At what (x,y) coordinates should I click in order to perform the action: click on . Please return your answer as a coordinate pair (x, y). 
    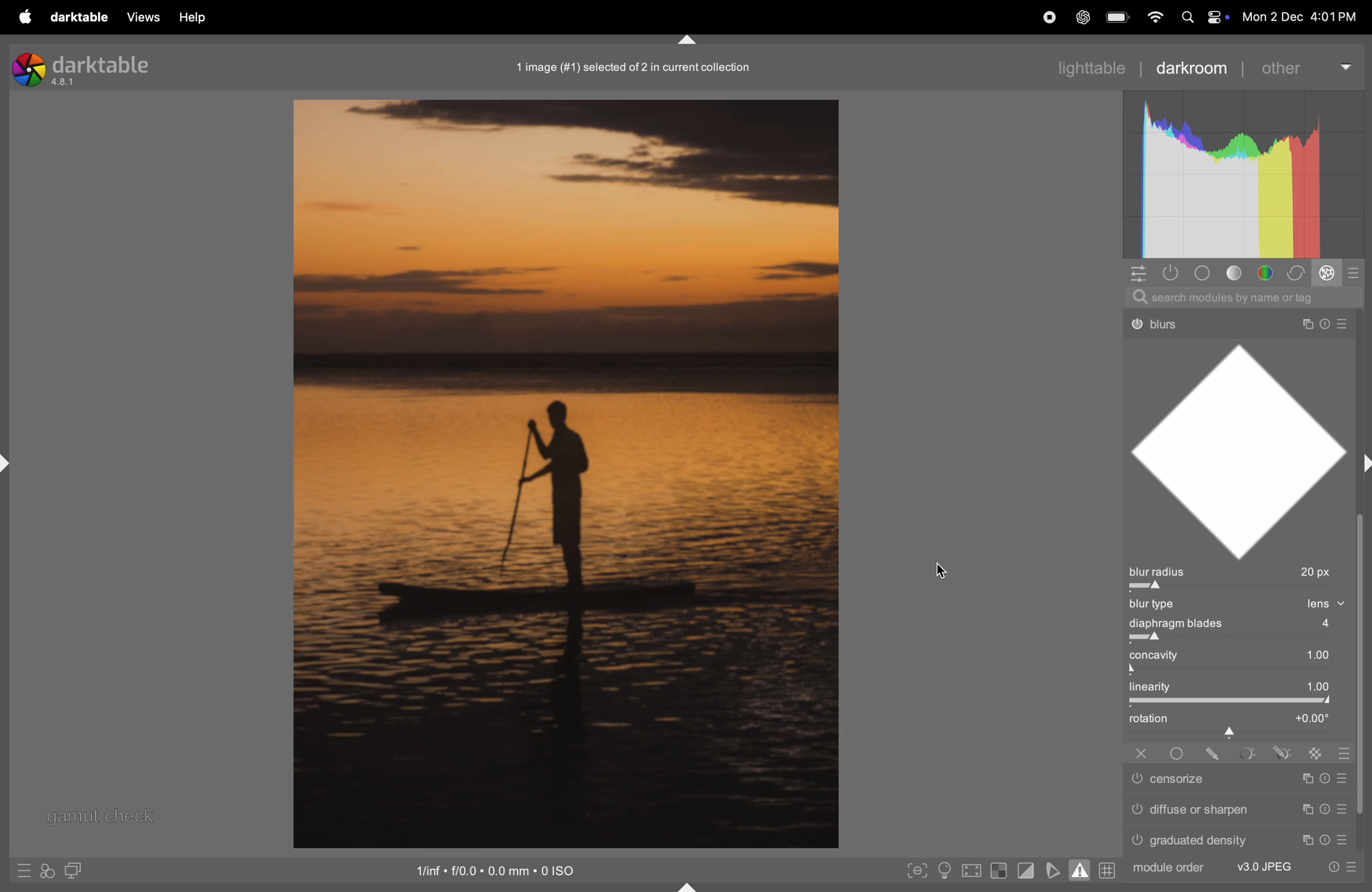
    Looking at the image, I should click on (1348, 754).